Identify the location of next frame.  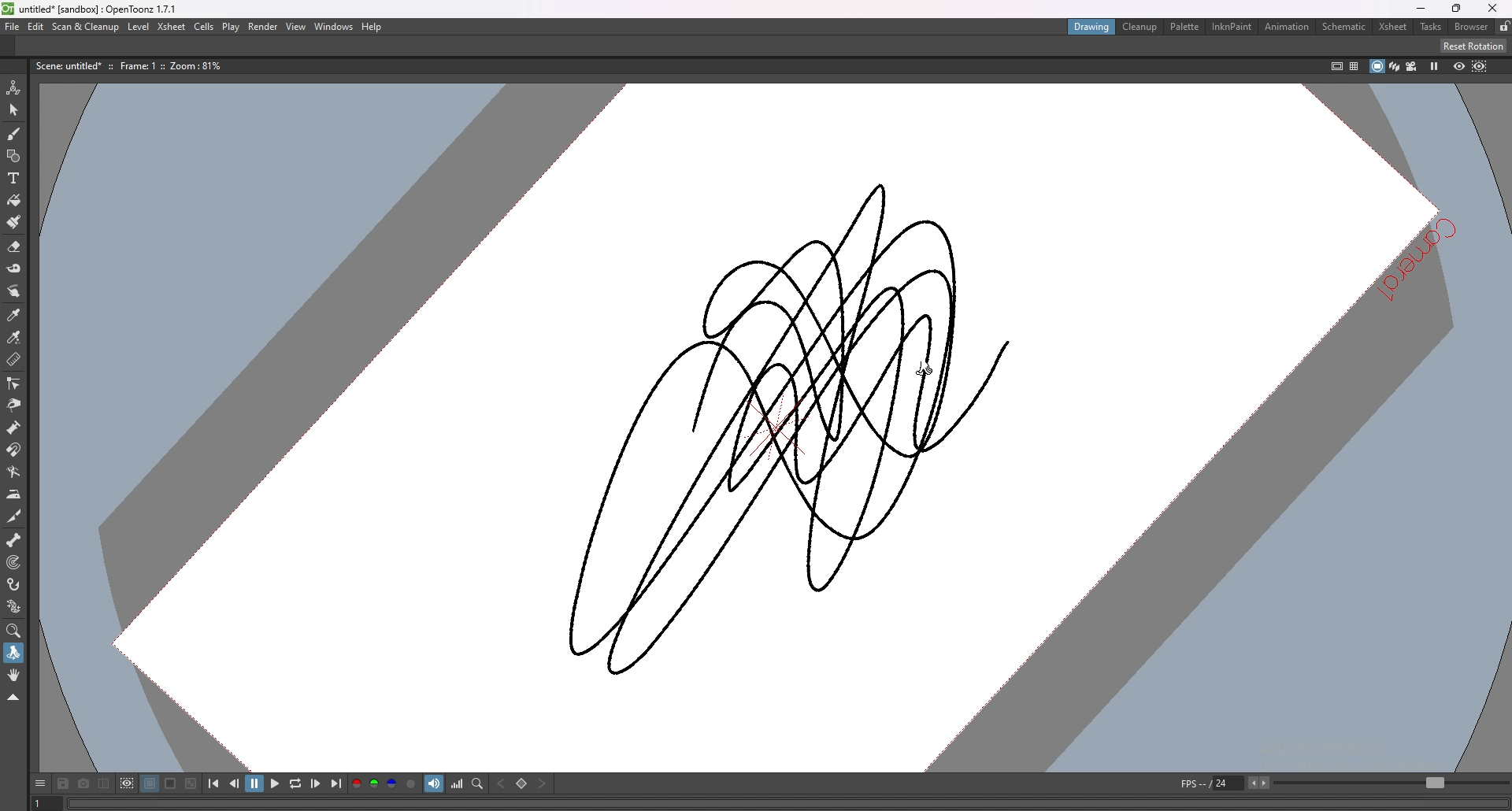
(315, 784).